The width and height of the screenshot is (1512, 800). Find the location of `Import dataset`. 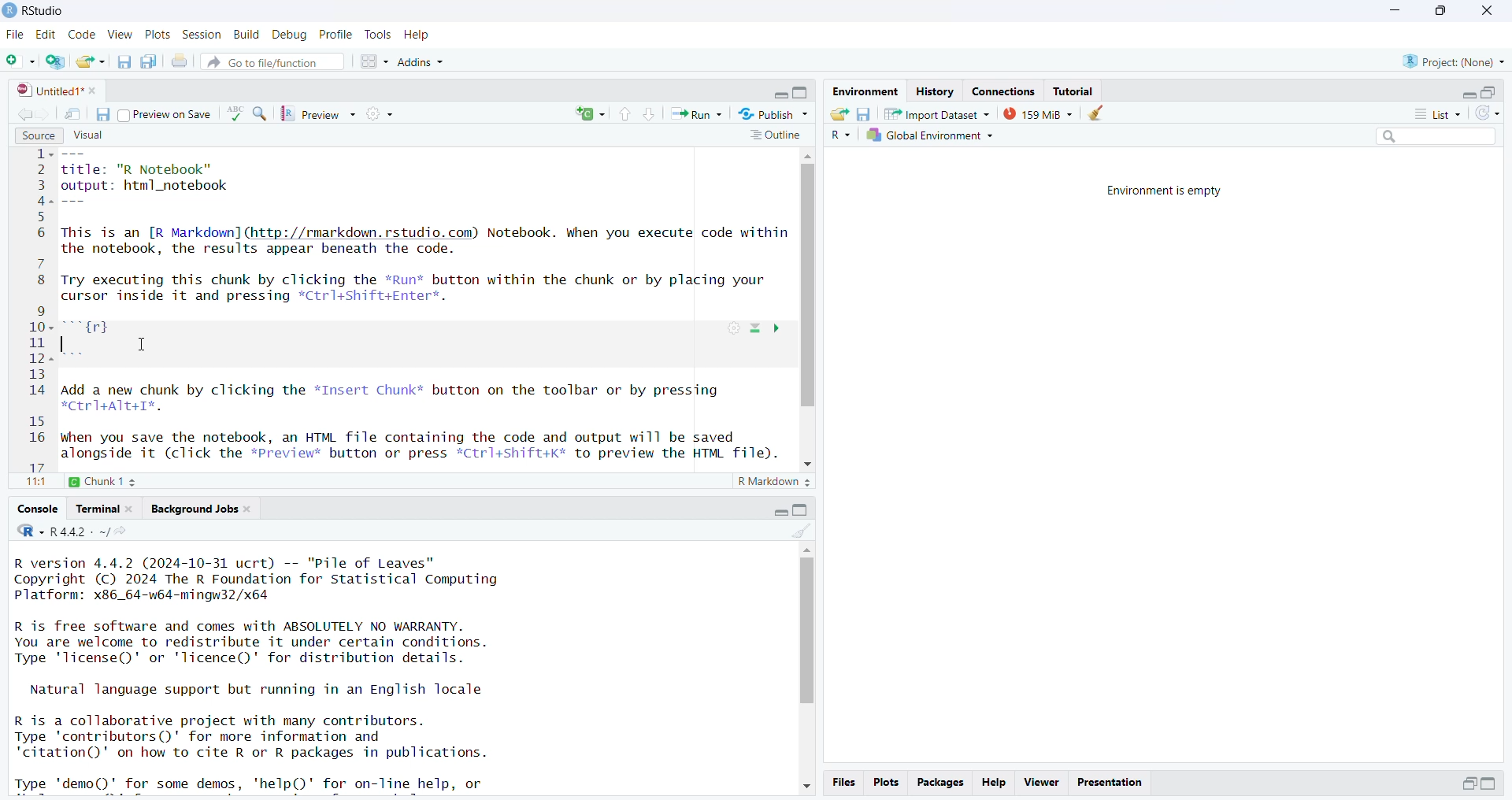

Import dataset is located at coordinates (936, 113).